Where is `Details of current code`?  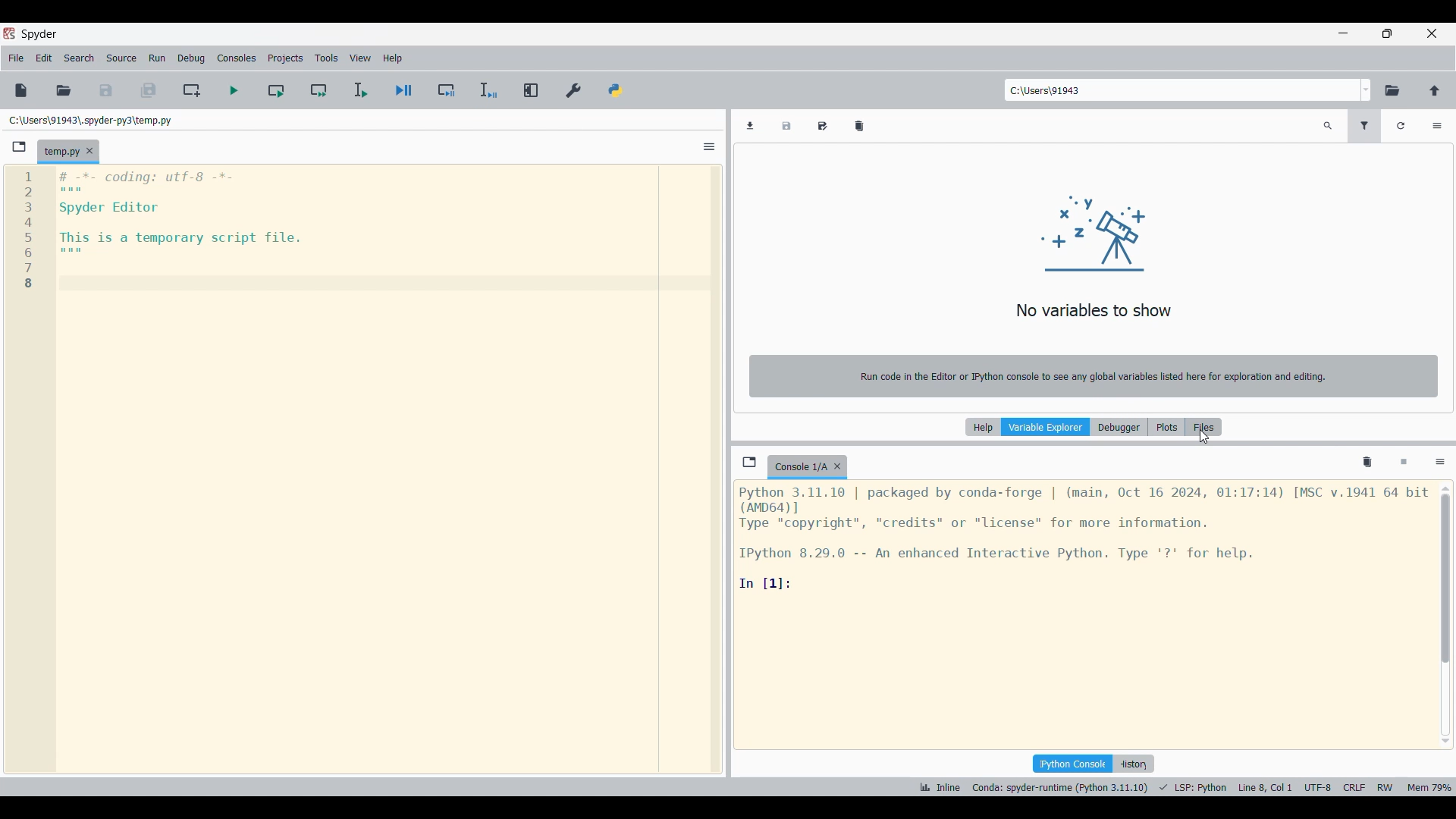 Details of current code is located at coordinates (1185, 787).